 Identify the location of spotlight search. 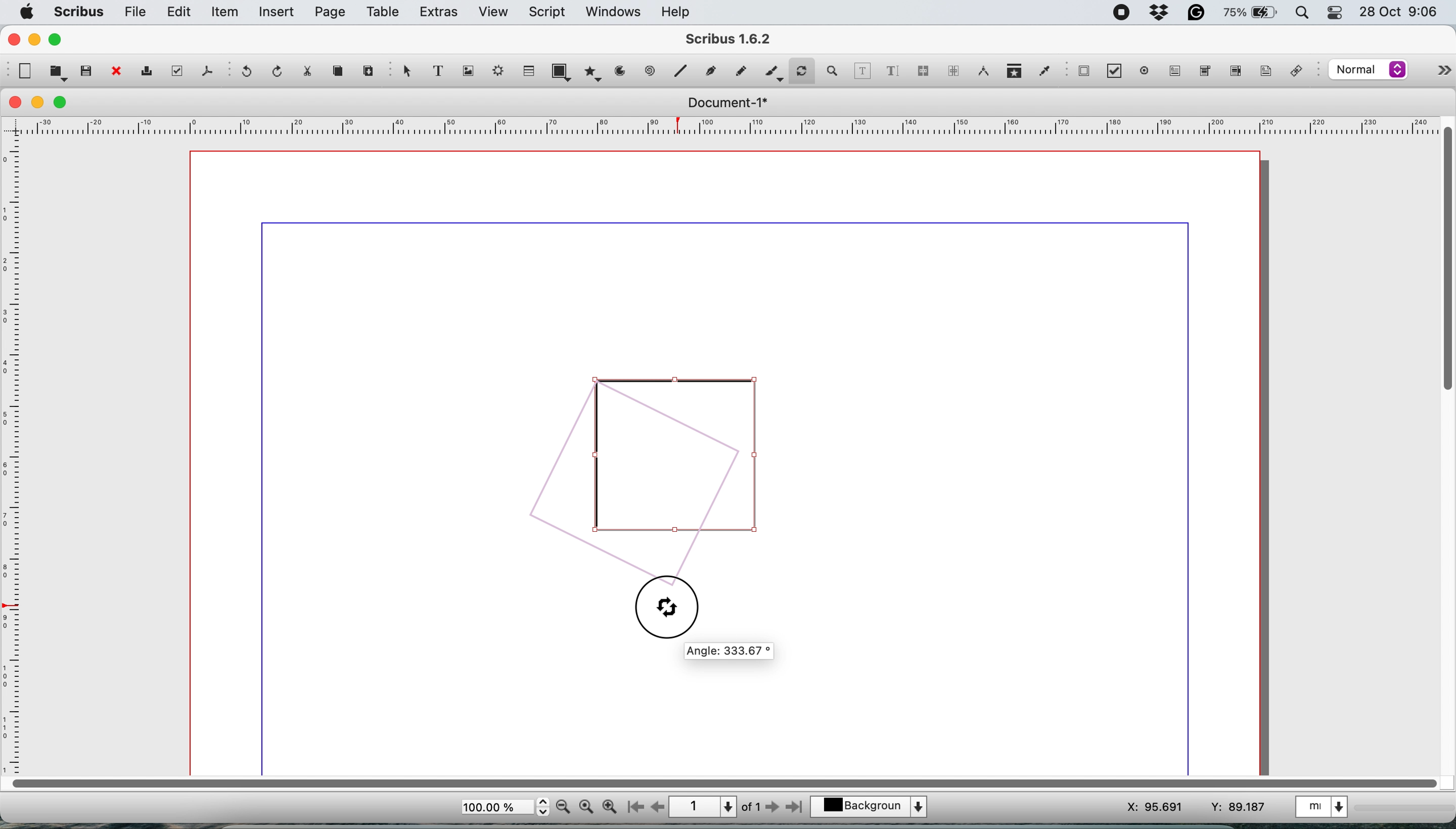
(1298, 13).